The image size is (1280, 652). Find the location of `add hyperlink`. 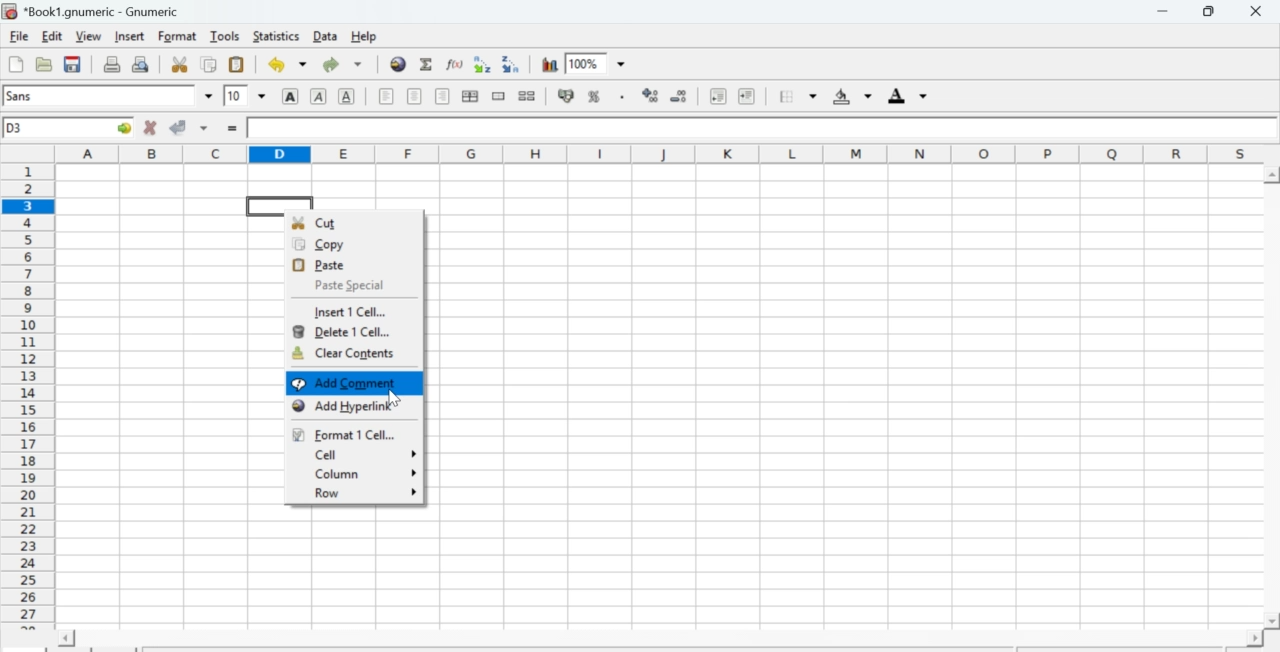

add hyperlink is located at coordinates (339, 406).